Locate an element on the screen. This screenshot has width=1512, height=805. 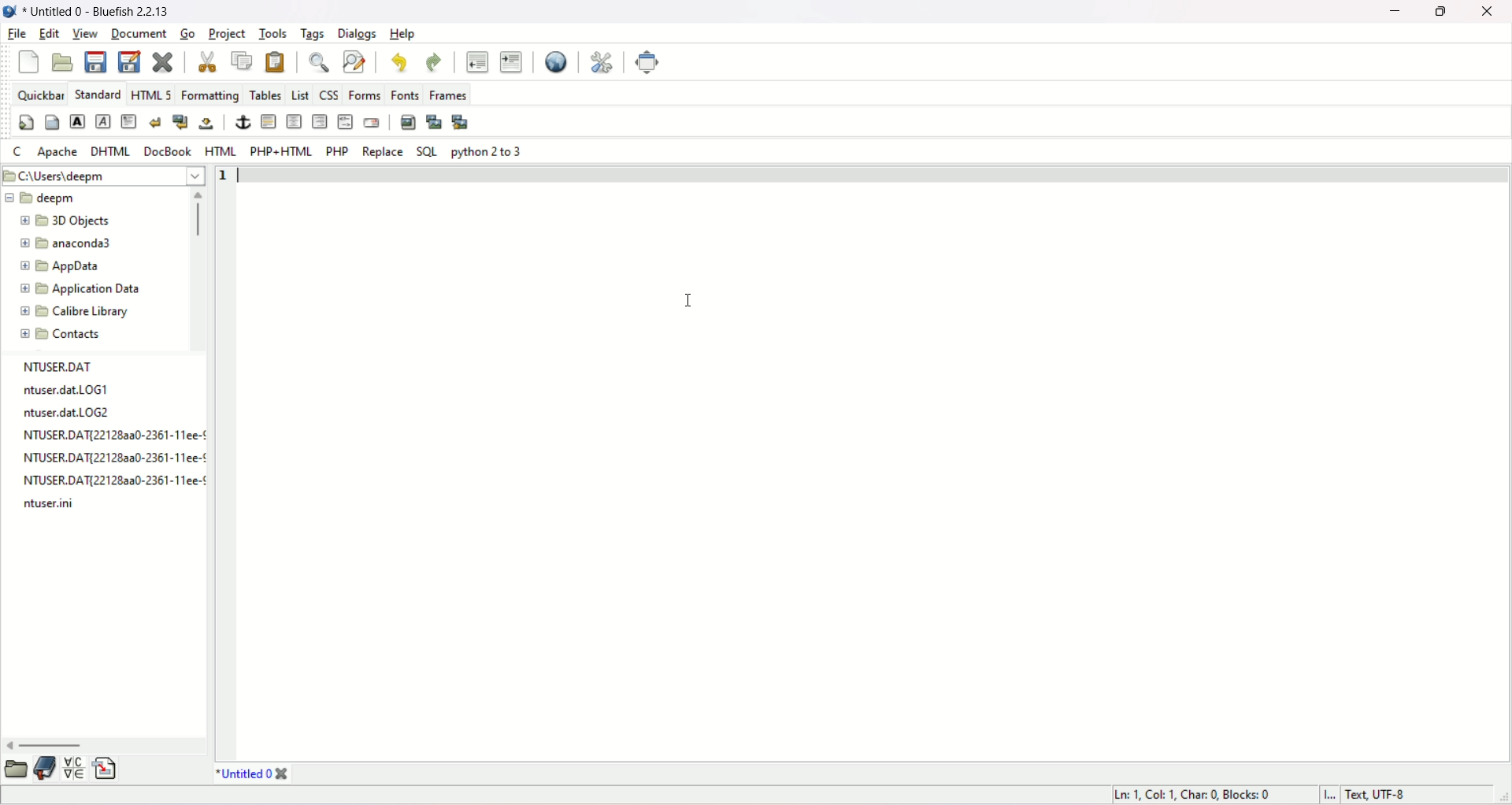
cursor is located at coordinates (684, 305).